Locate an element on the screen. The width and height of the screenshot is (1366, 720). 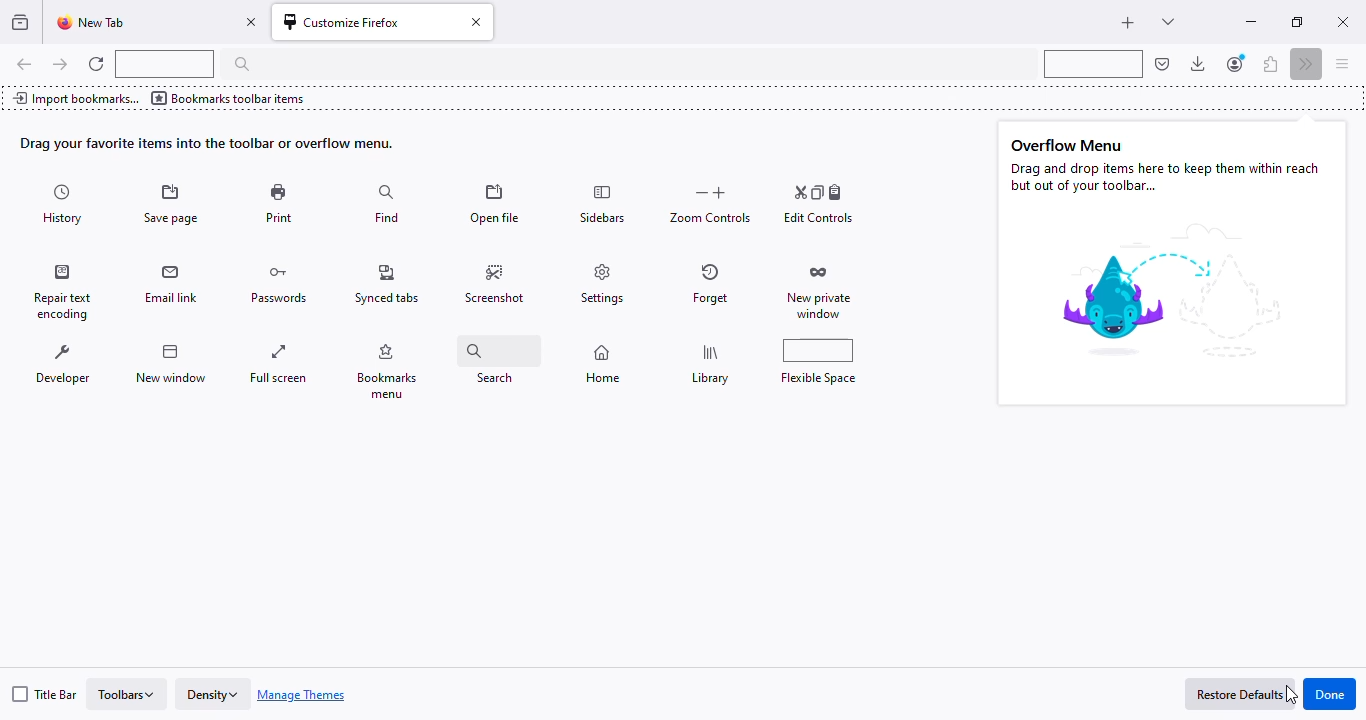
library is located at coordinates (710, 364).